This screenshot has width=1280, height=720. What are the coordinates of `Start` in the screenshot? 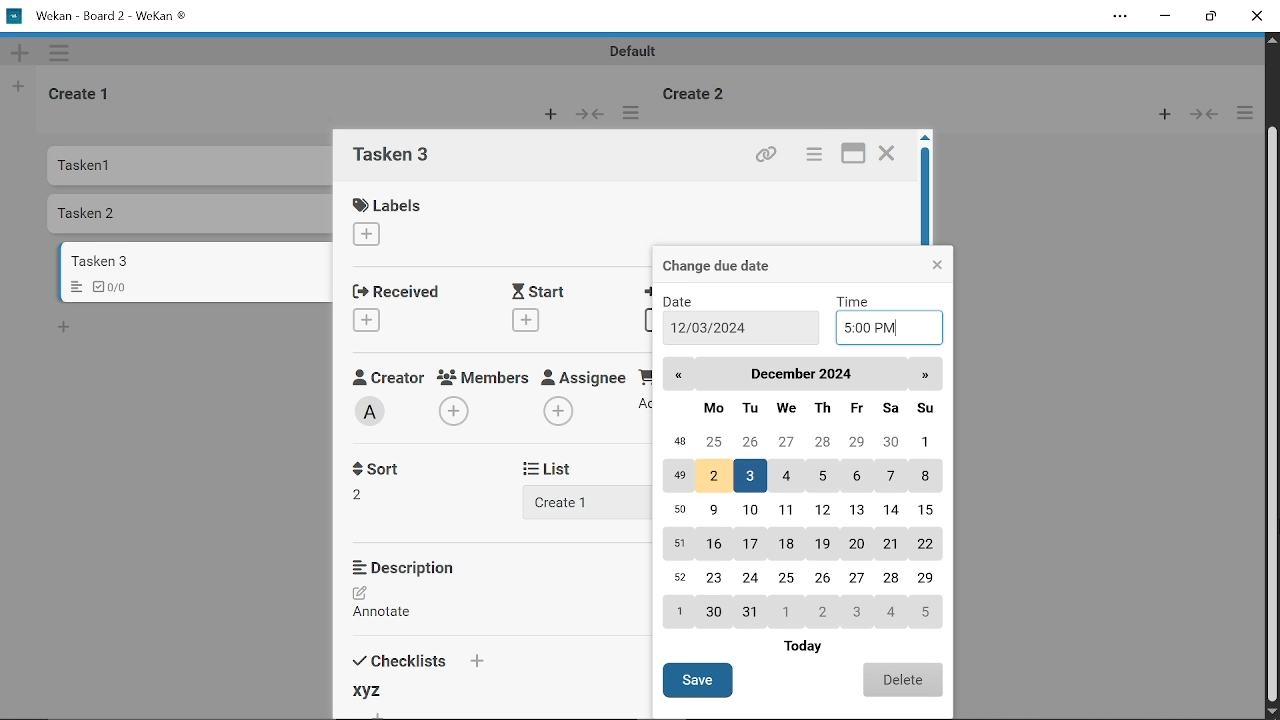 It's located at (544, 291).